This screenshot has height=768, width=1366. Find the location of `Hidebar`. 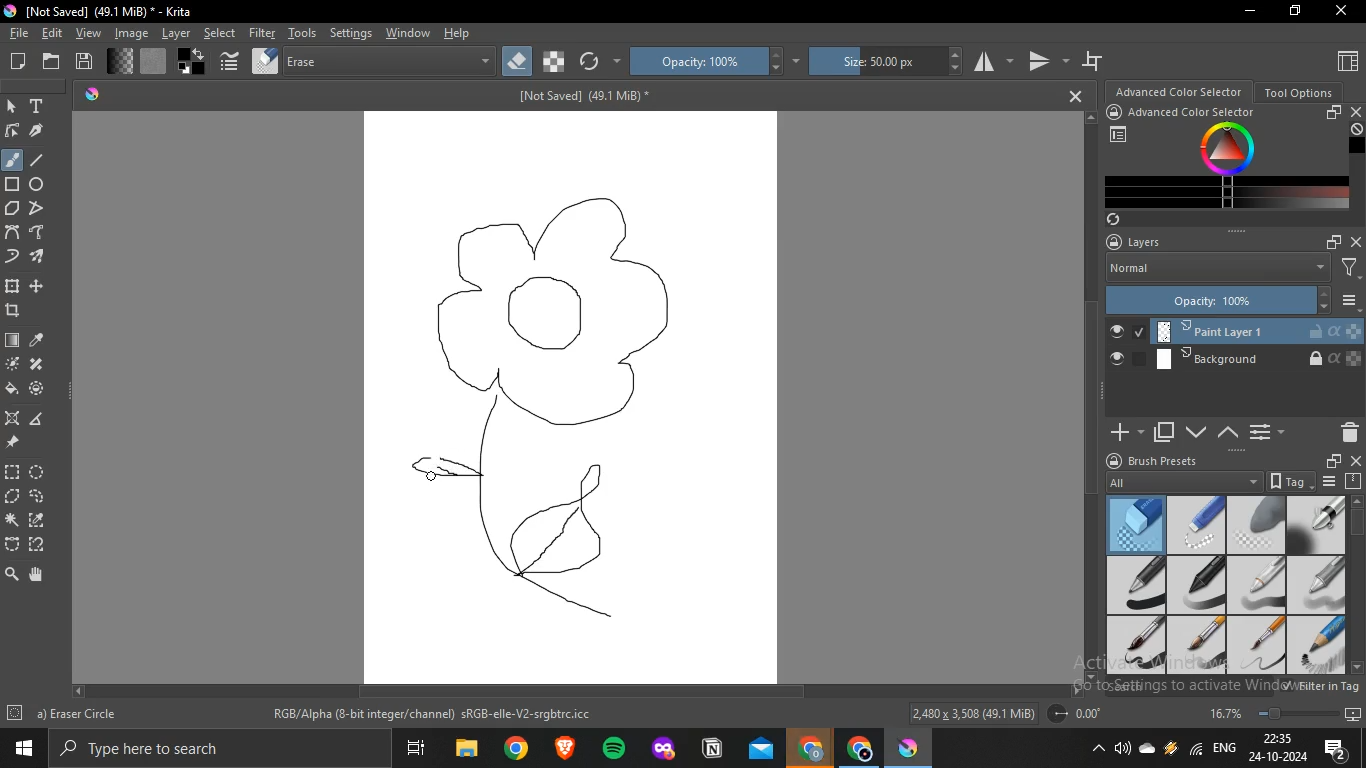

Hidebar is located at coordinates (1096, 748).